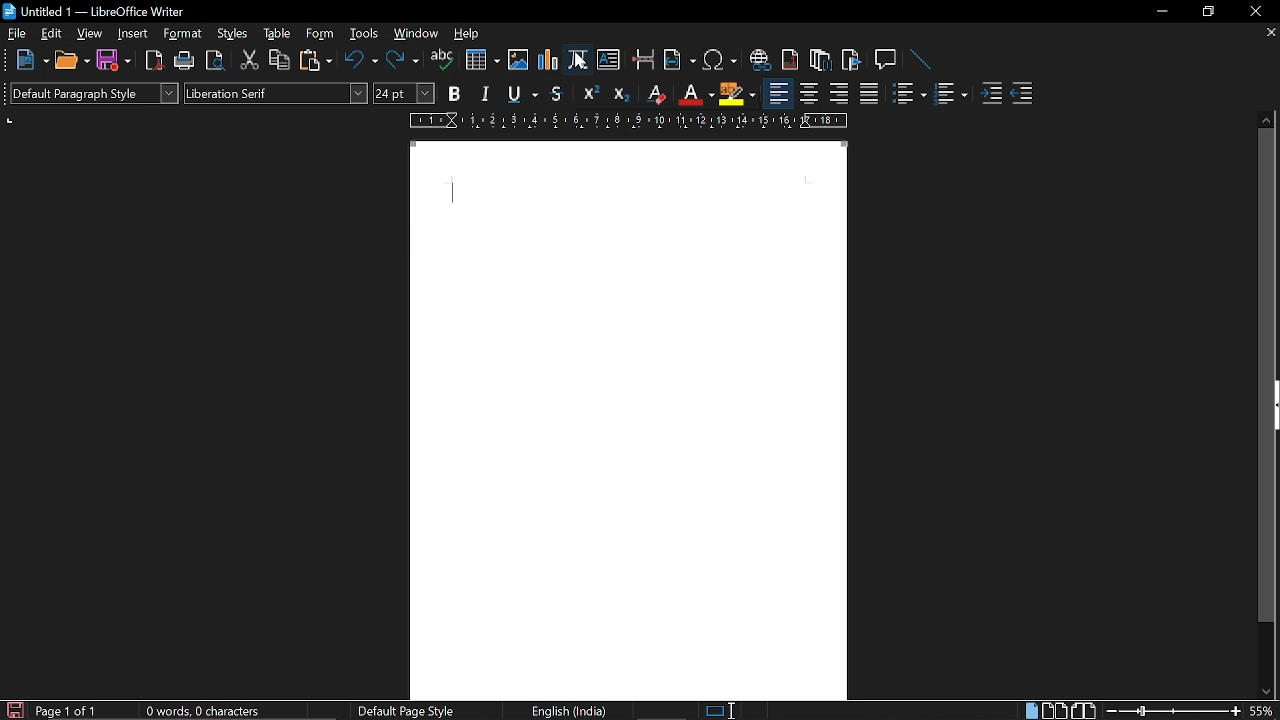 Image resolution: width=1280 pixels, height=720 pixels. Describe the element at coordinates (214, 61) in the screenshot. I see `toggle print preview` at that location.